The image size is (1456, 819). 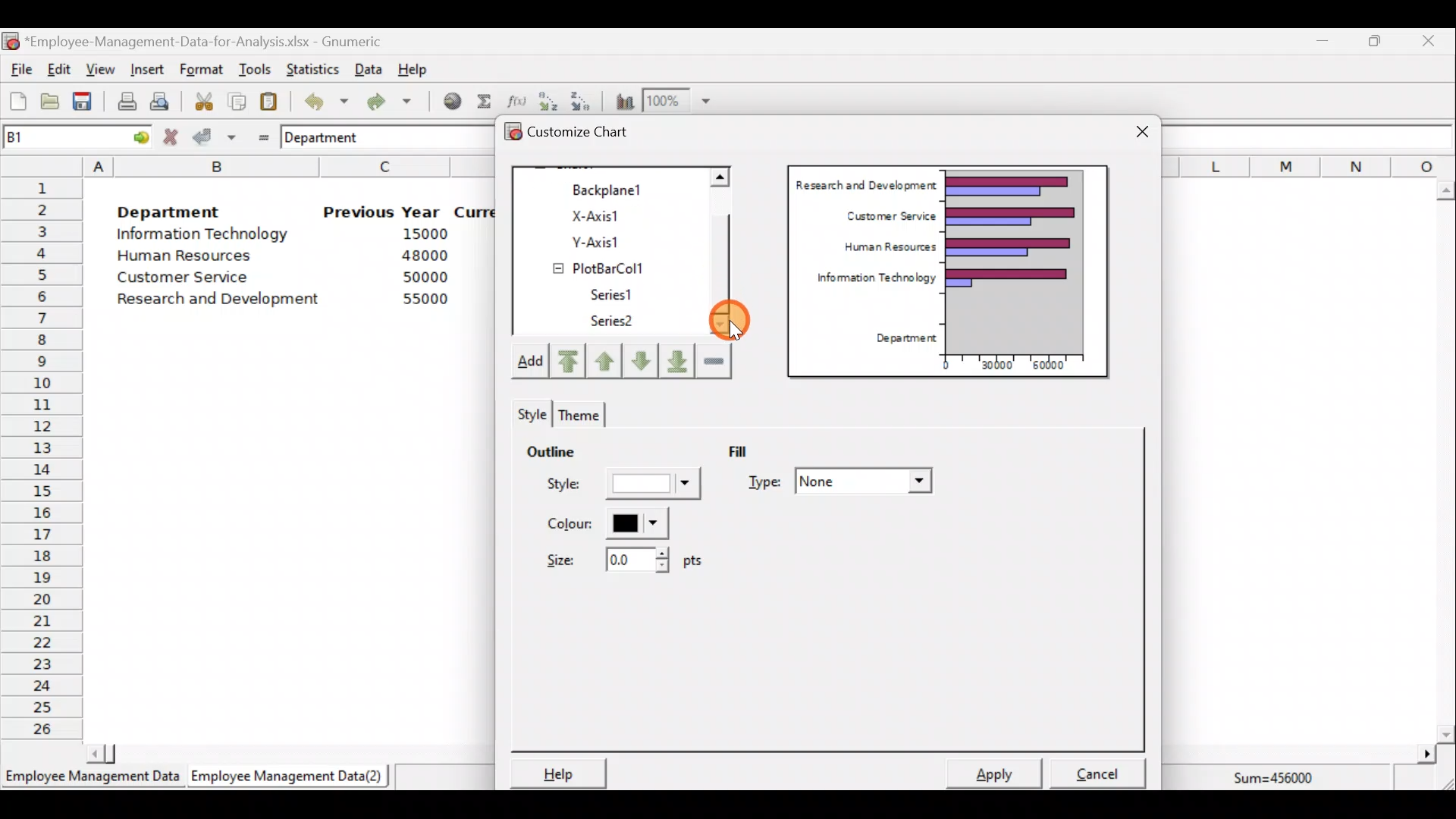 What do you see at coordinates (1282, 780) in the screenshot?
I see `Sum=456000` at bounding box center [1282, 780].